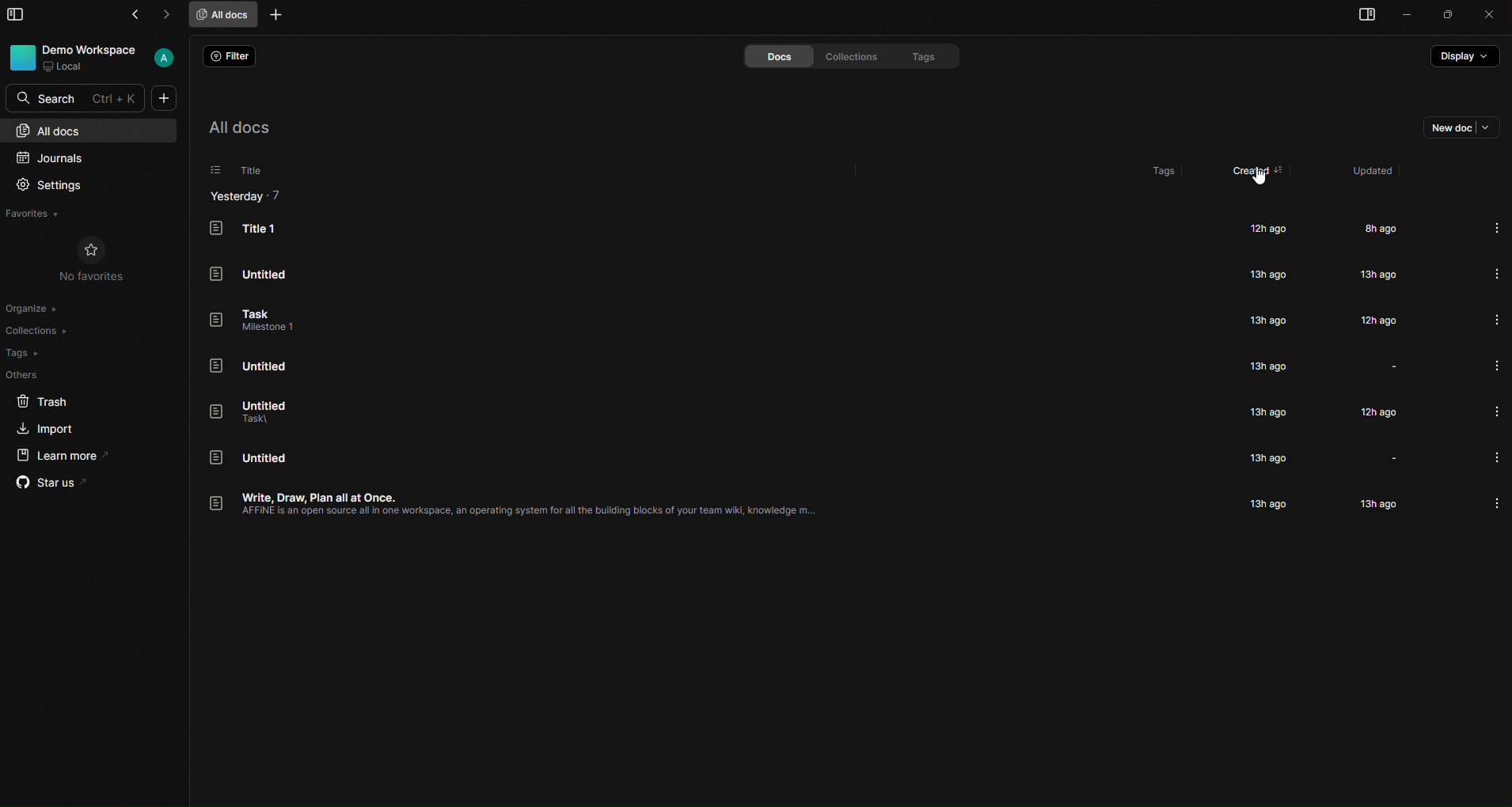 The width and height of the screenshot is (1512, 807). What do you see at coordinates (1405, 15) in the screenshot?
I see `minimize` at bounding box center [1405, 15].